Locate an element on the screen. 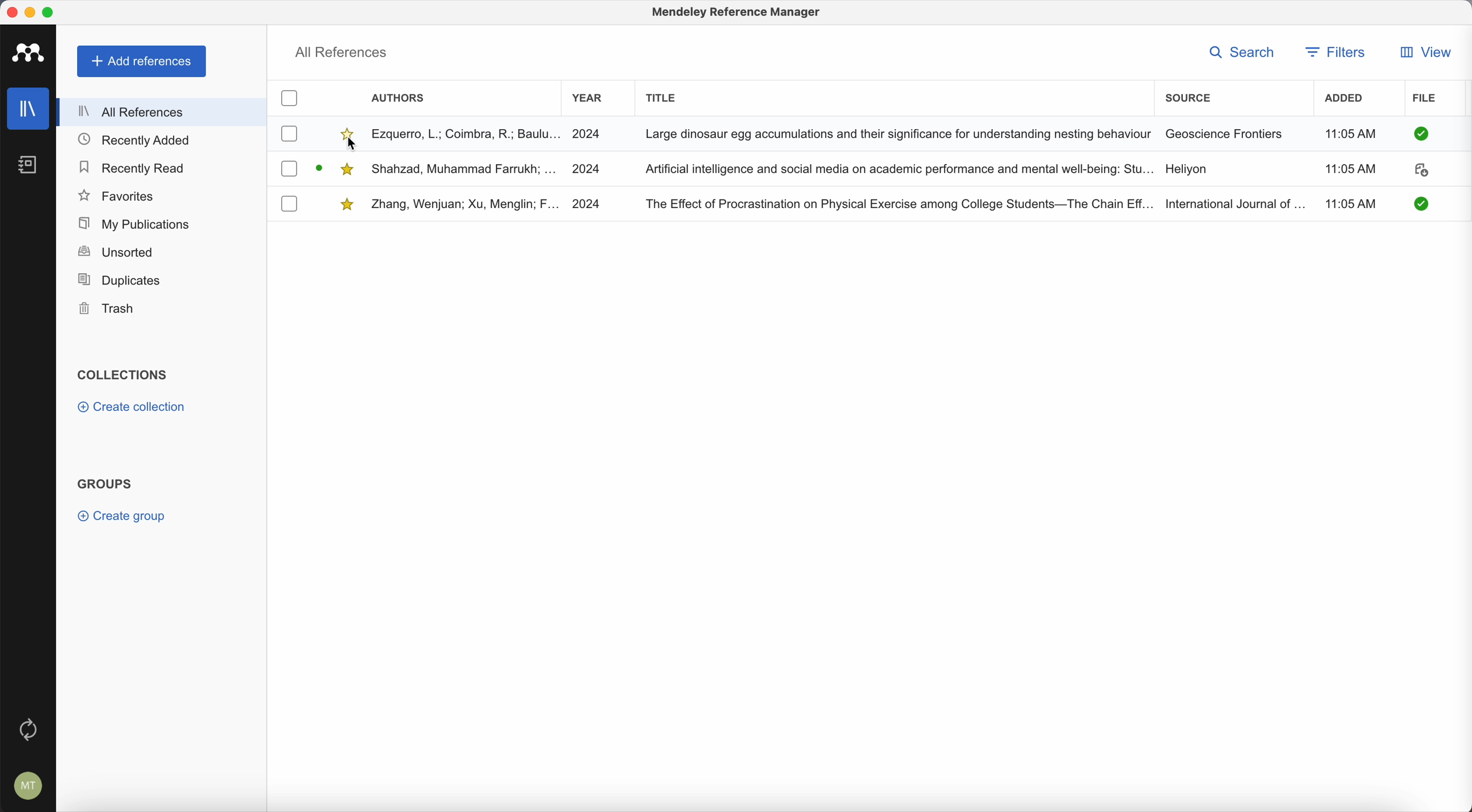 This screenshot has height=812, width=1472. all references is located at coordinates (342, 51).